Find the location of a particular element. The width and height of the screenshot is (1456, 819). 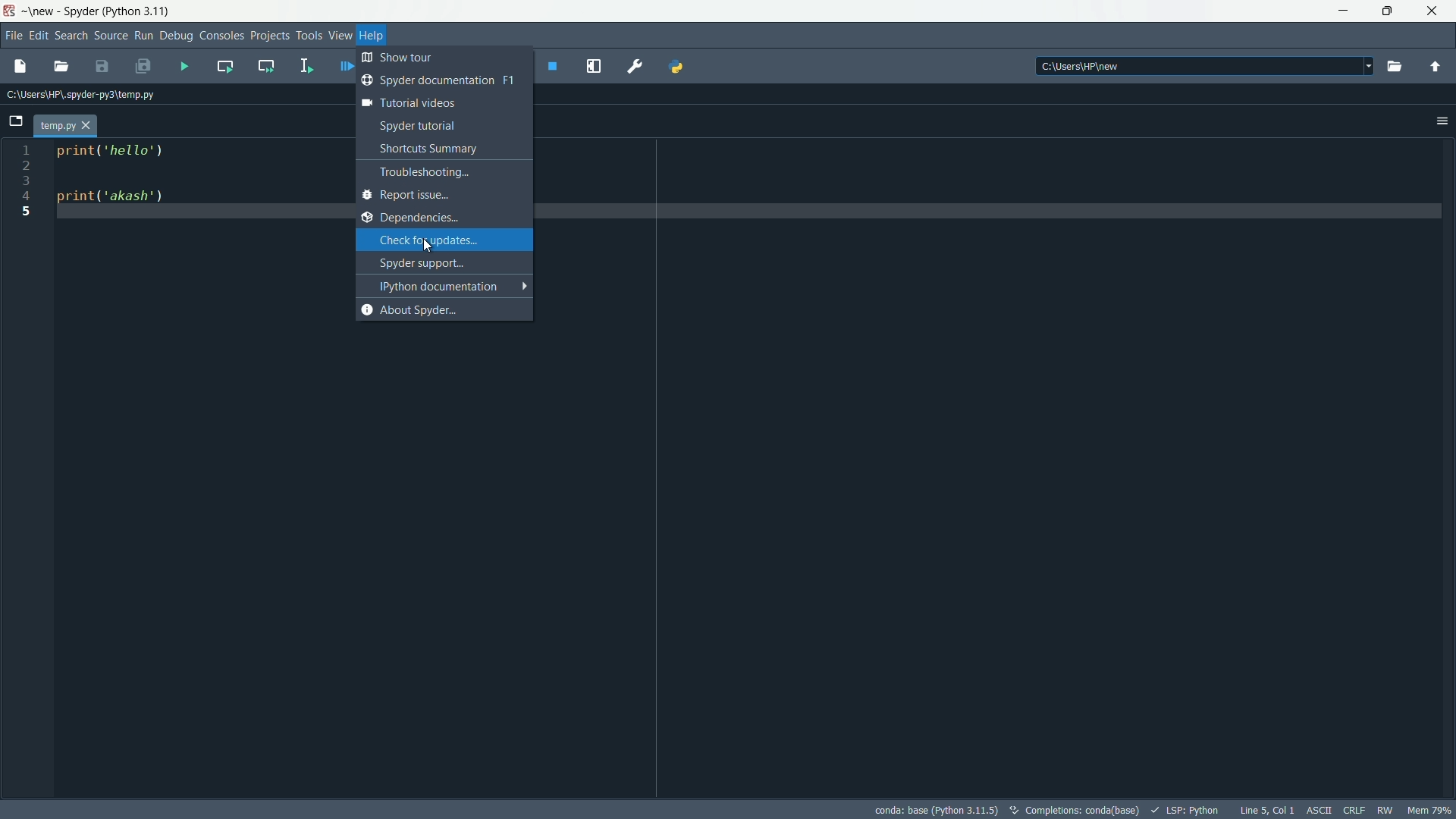

Cursor is located at coordinates (426, 247).